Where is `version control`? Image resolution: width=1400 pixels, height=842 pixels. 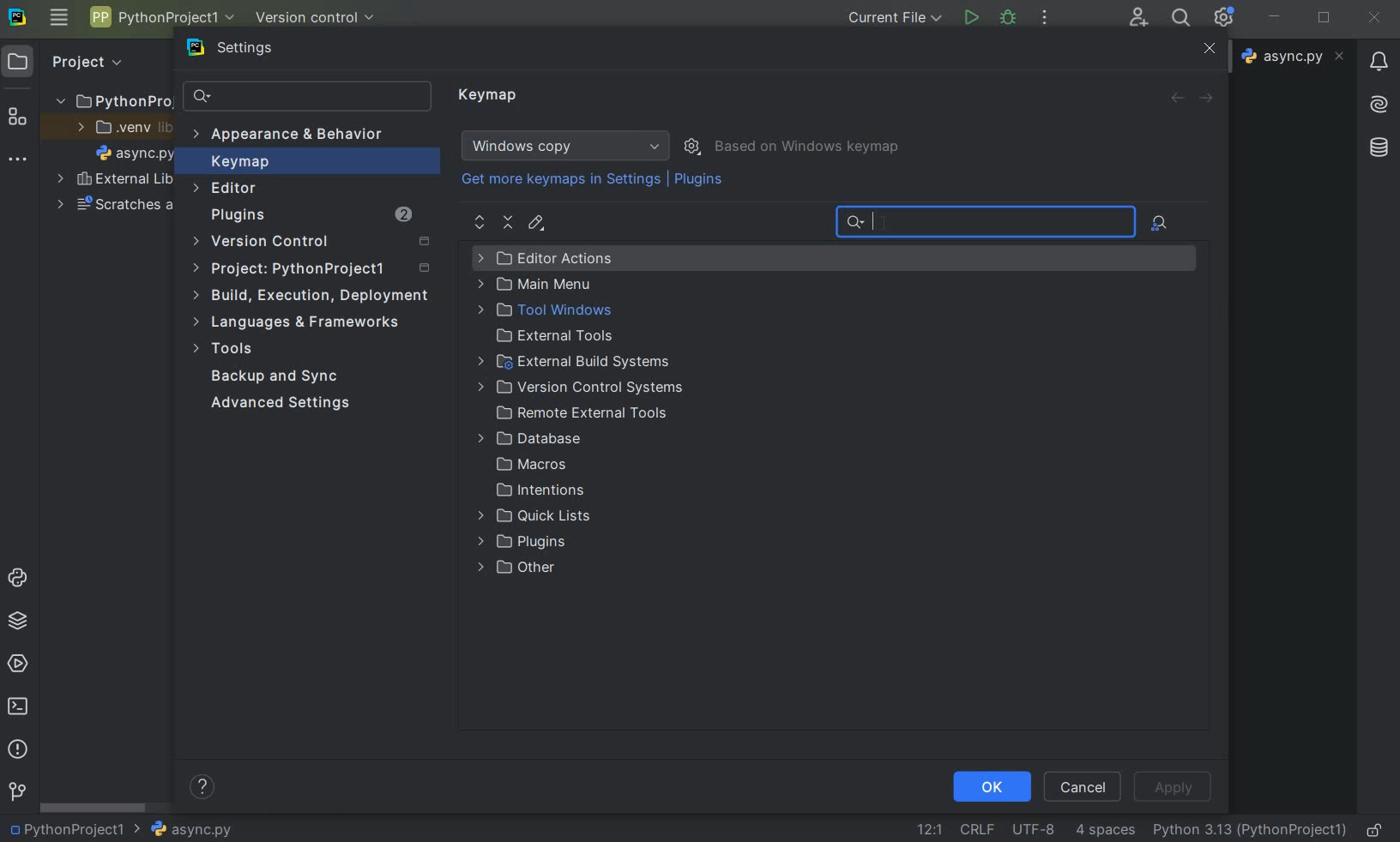
version control is located at coordinates (321, 17).